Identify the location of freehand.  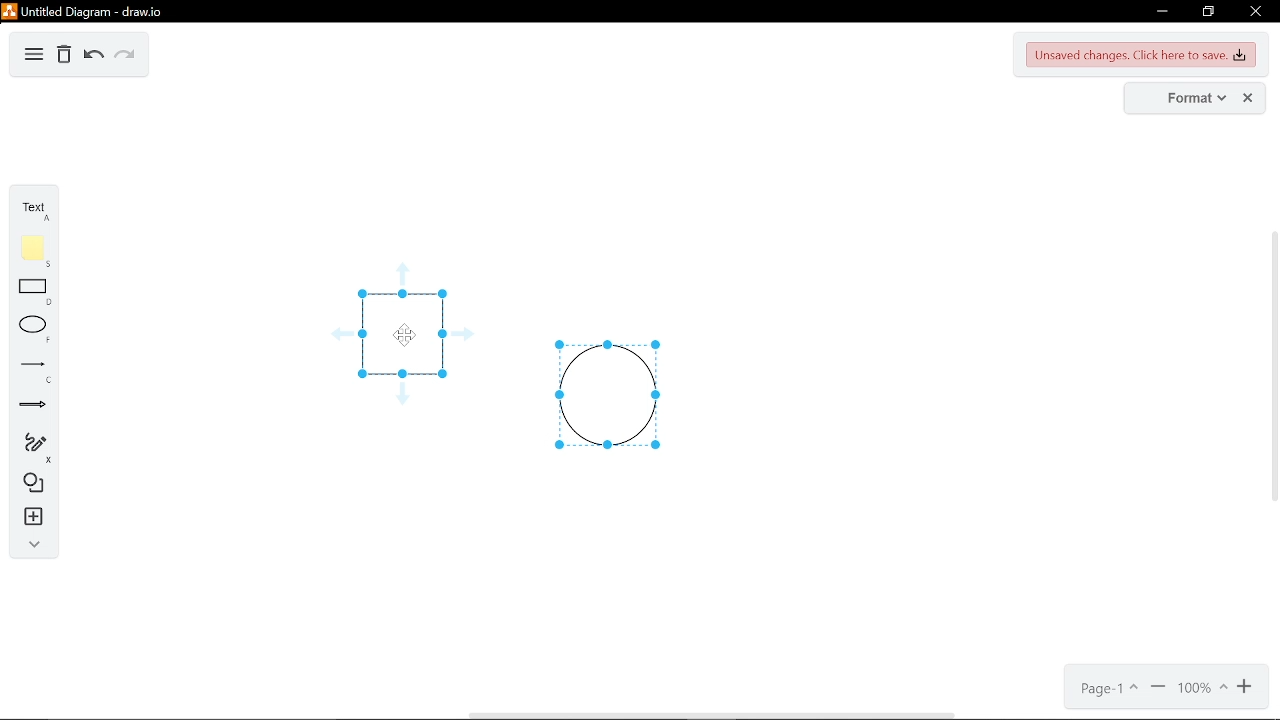
(29, 446).